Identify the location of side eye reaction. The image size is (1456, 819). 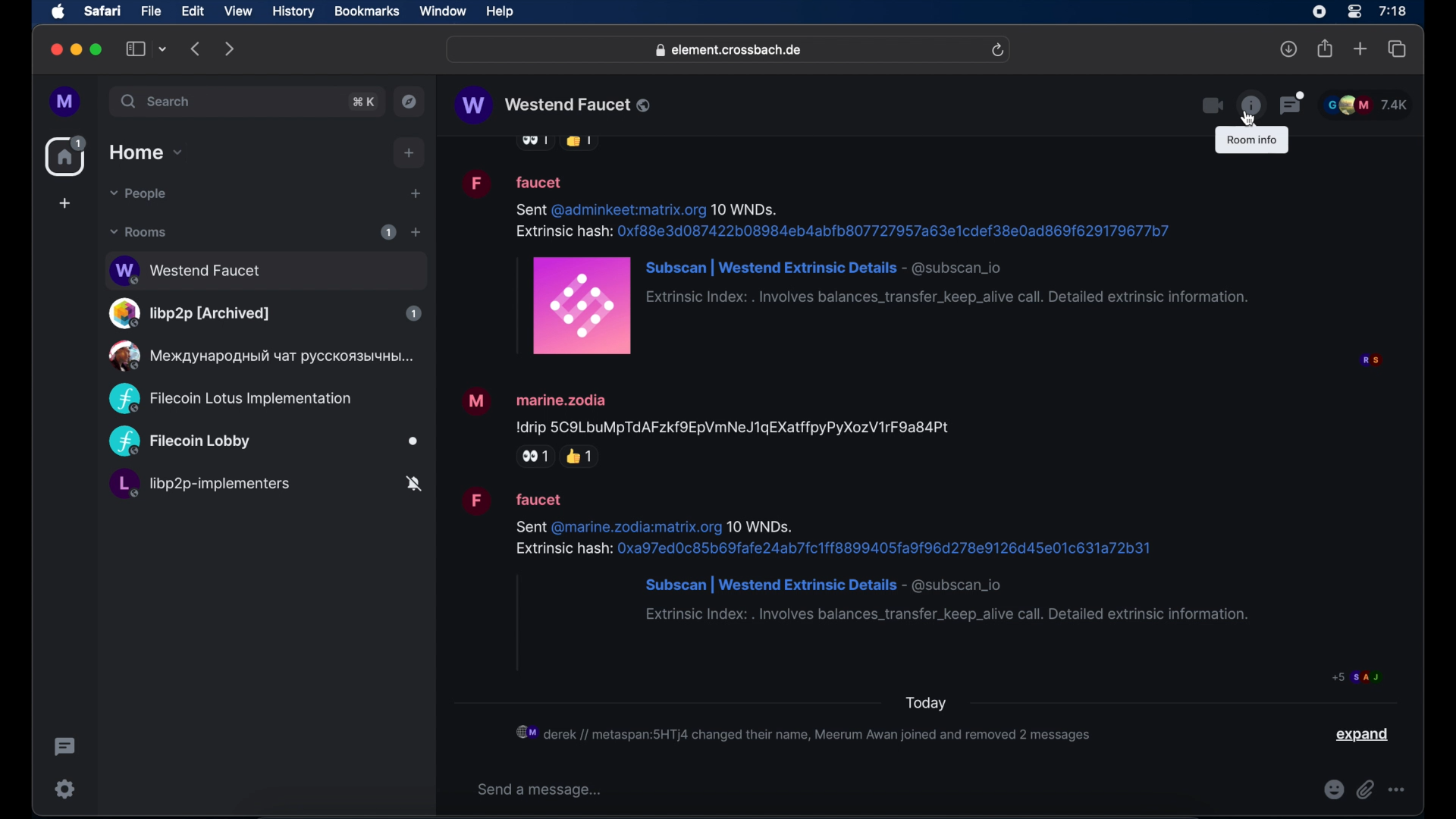
(532, 457).